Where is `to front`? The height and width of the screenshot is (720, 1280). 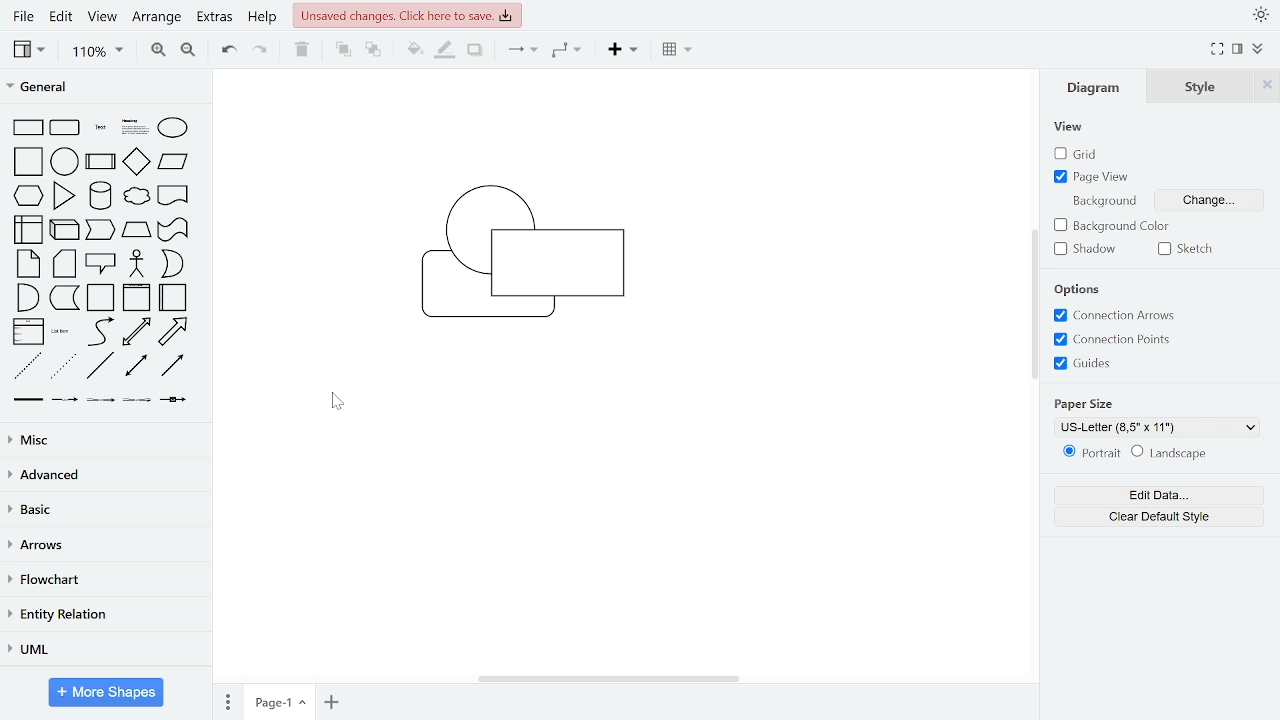
to front is located at coordinates (342, 52).